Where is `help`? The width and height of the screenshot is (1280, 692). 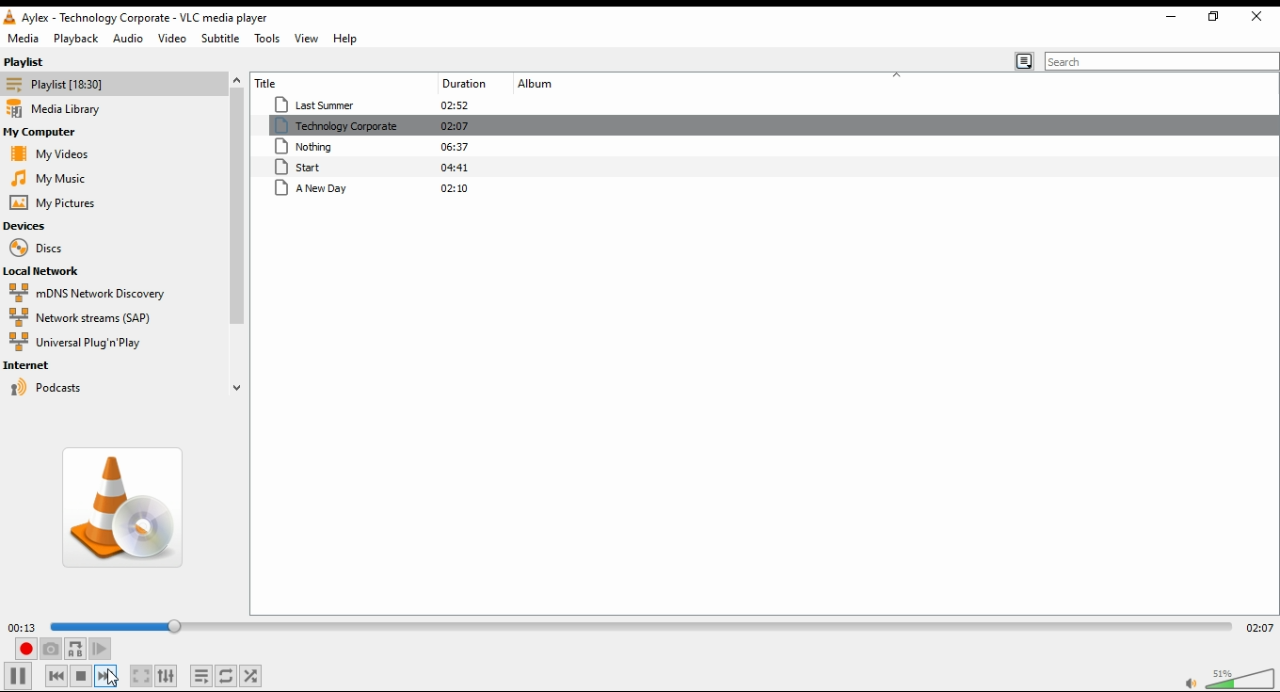
help is located at coordinates (347, 39).